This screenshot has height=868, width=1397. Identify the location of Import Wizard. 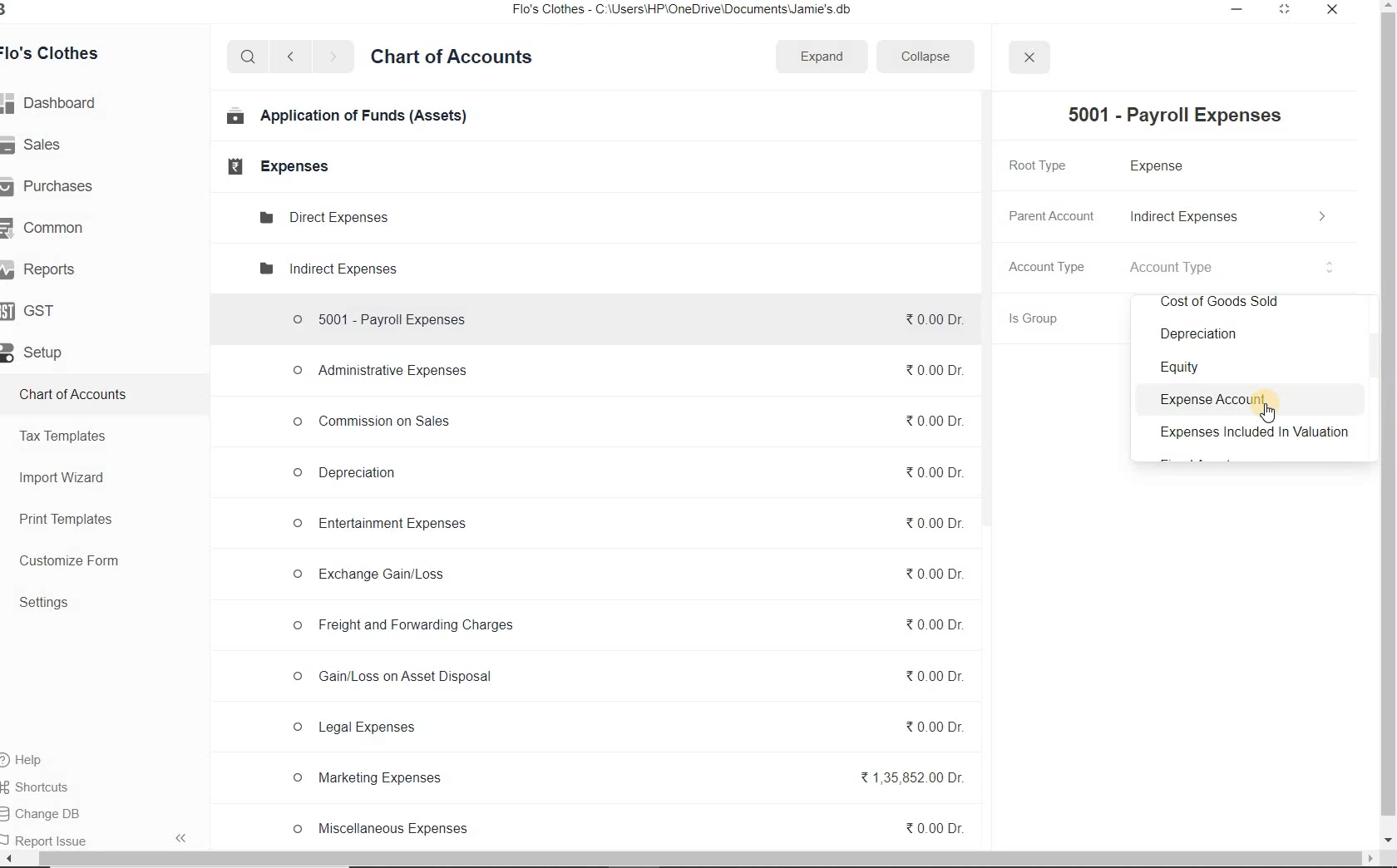
(65, 477).